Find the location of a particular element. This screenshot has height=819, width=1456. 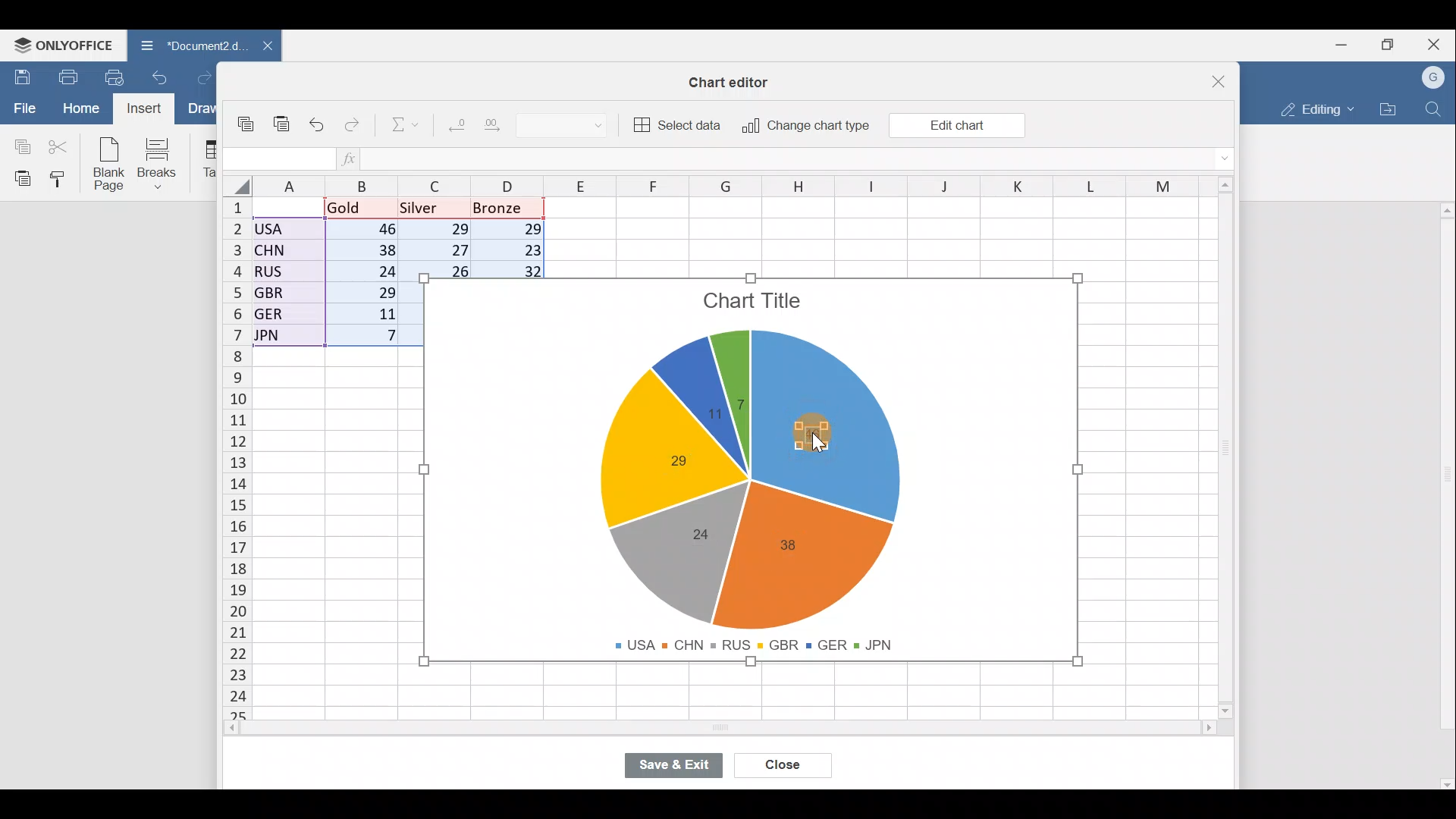

Change chart type is located at coordinates (801, 127).